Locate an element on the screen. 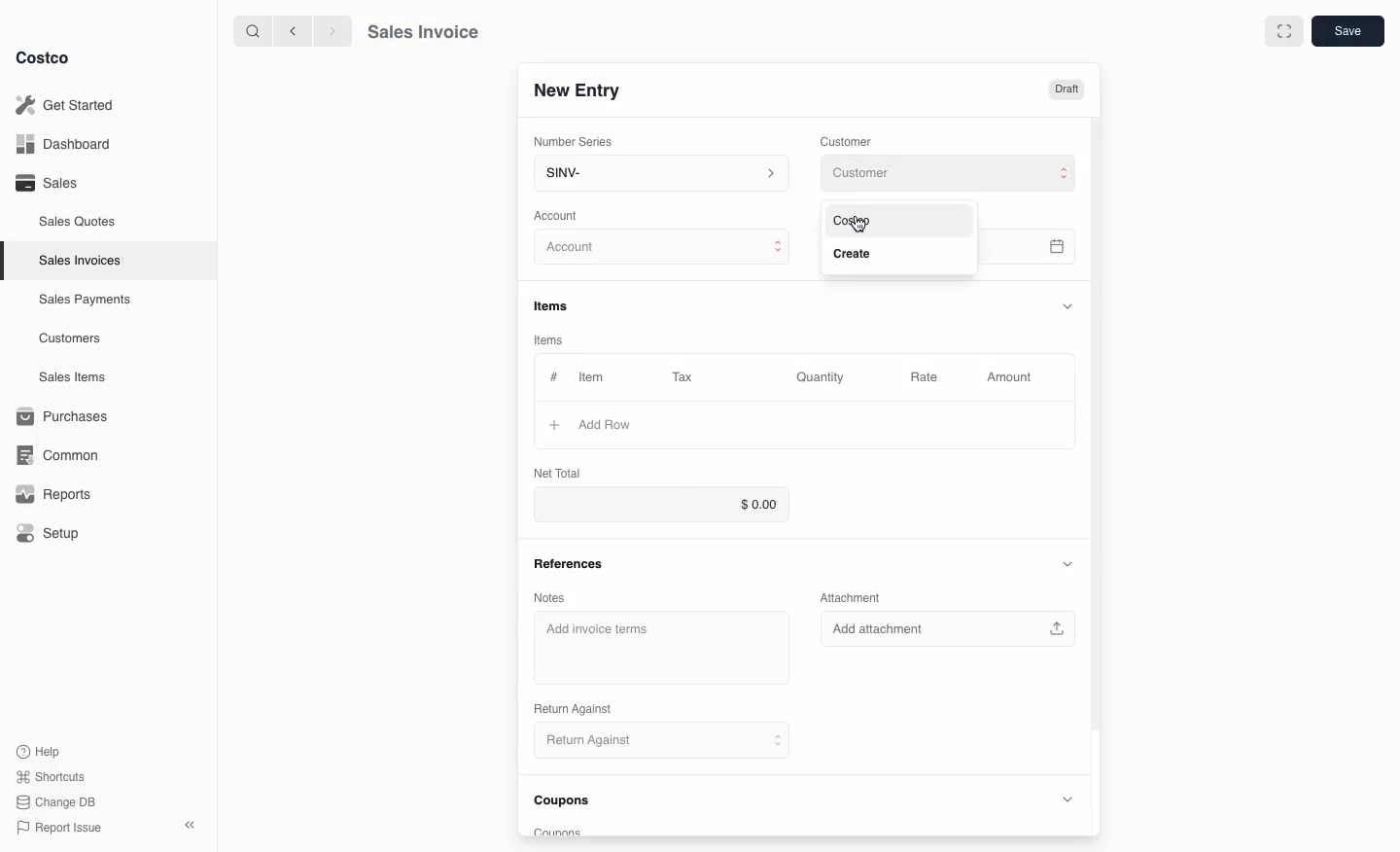  Sales is located at coordinates (45, 182).